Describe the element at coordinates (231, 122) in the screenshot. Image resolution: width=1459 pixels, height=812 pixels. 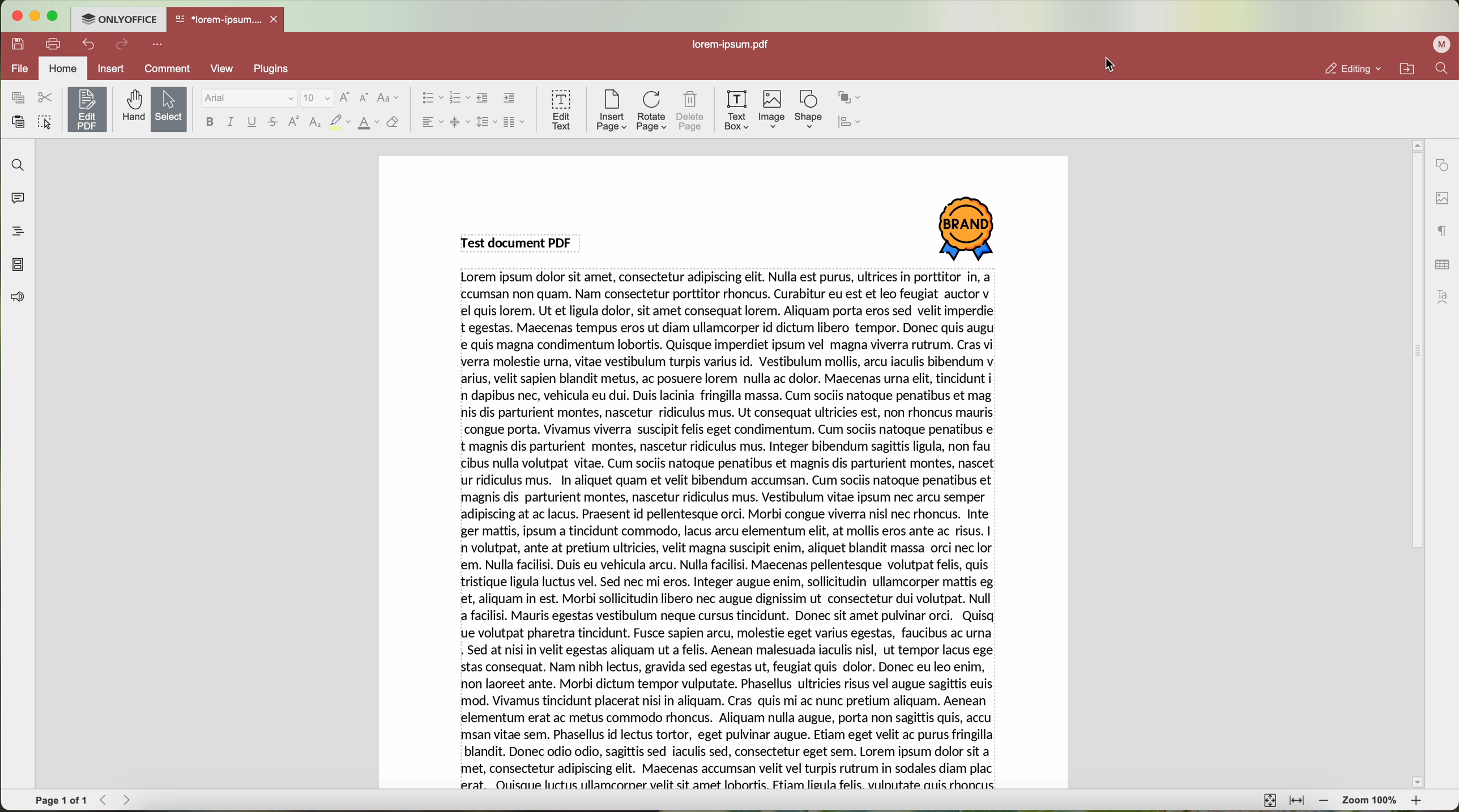
I see `italic` at that location.